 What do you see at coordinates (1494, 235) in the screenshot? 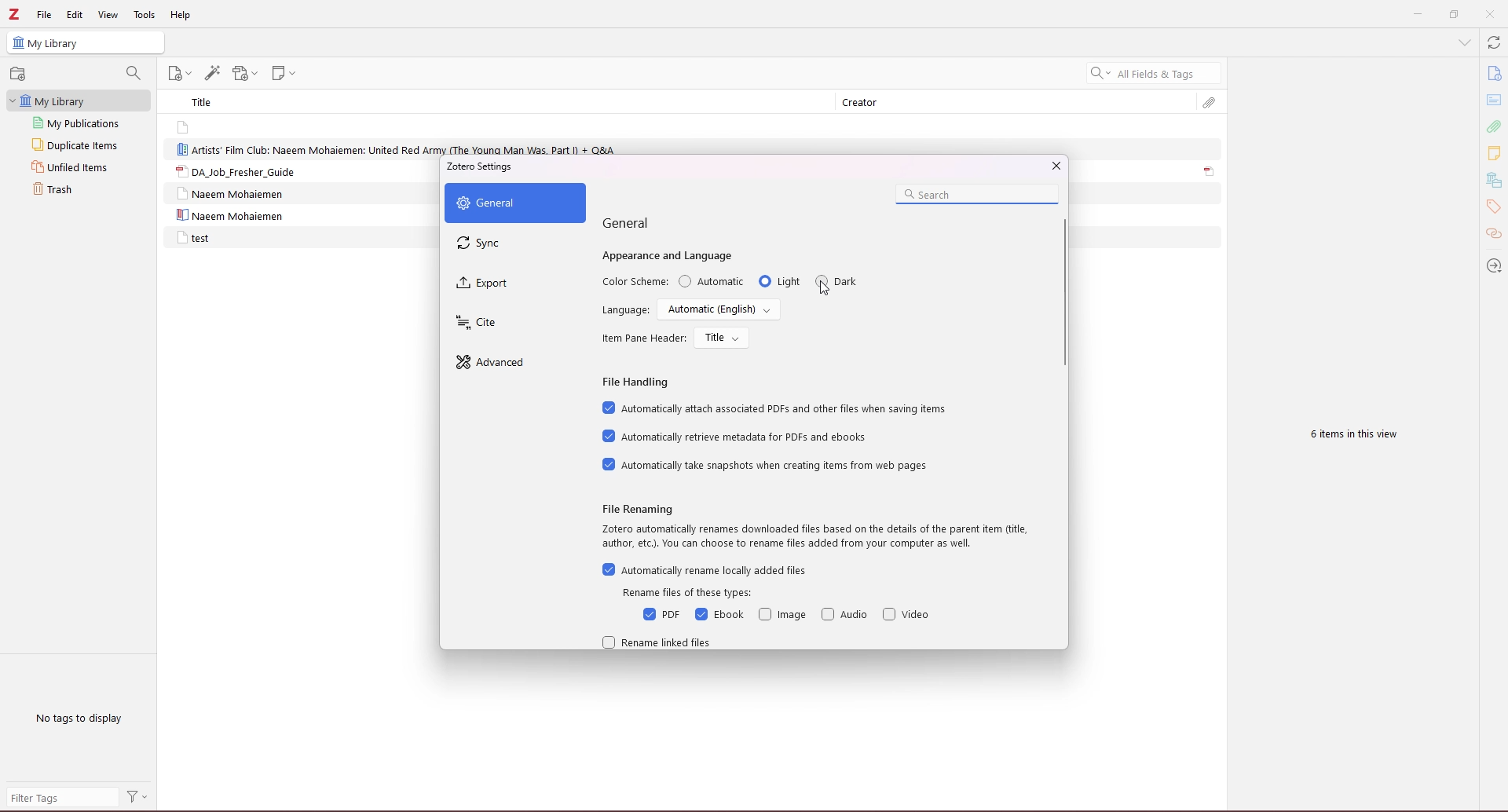
I see `related` at bounding box center [1494, 235].